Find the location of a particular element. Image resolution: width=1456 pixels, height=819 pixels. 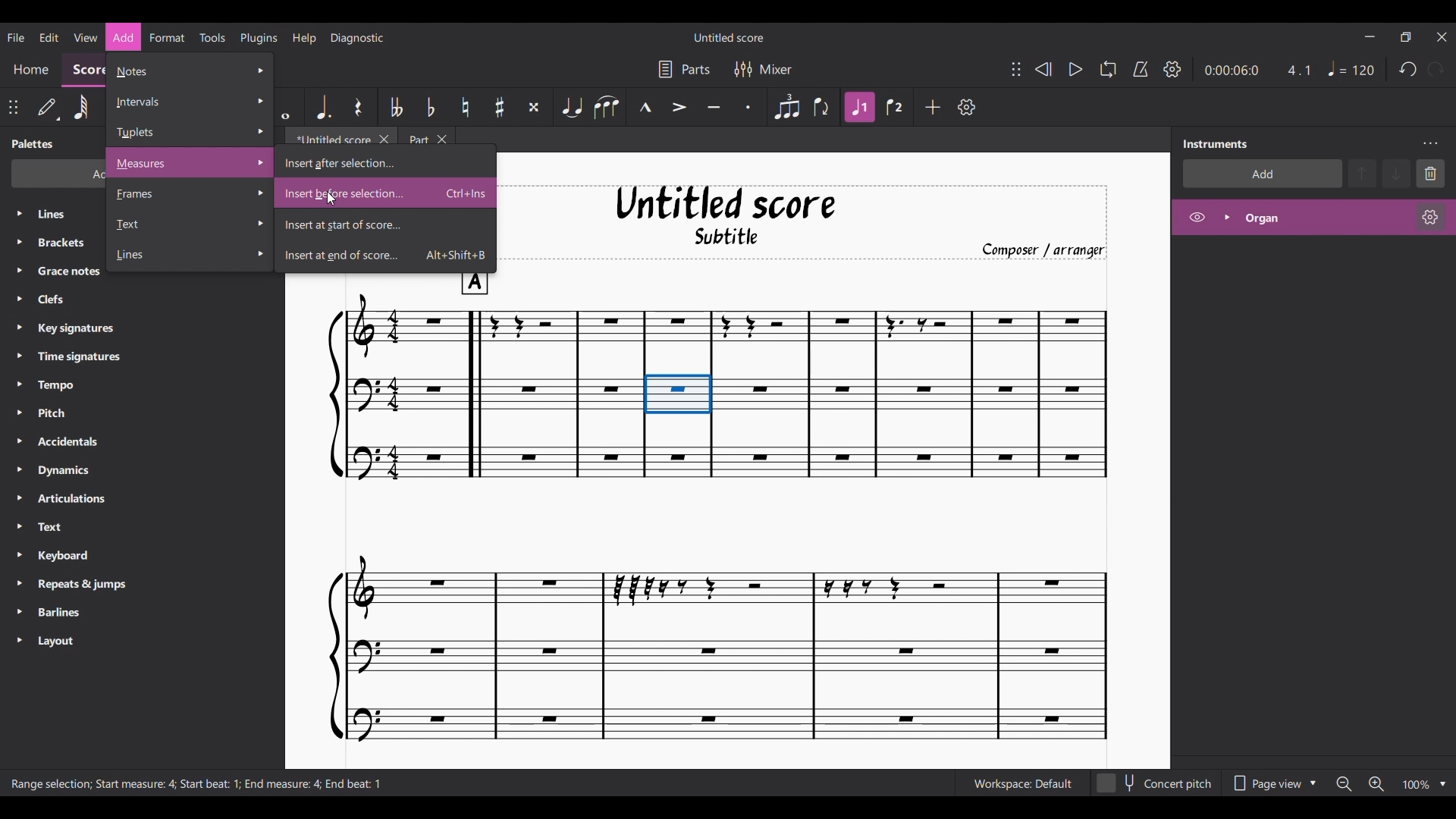

Zoom in is located at coordinates (1376, 784).